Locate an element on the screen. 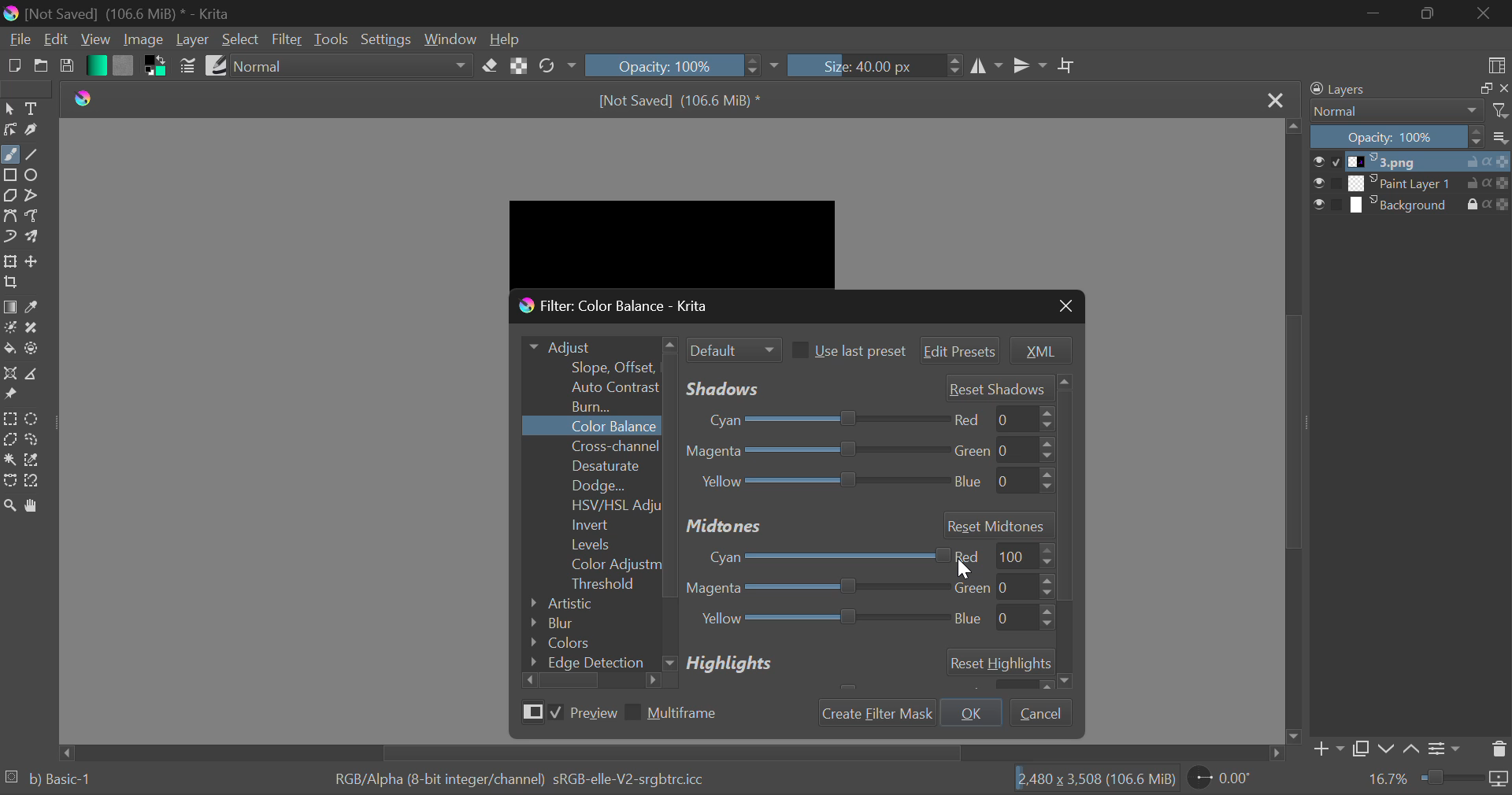 Image resolution: width=1512 pixels, height=795 pixels. close is located at coordinates (1503, 91).